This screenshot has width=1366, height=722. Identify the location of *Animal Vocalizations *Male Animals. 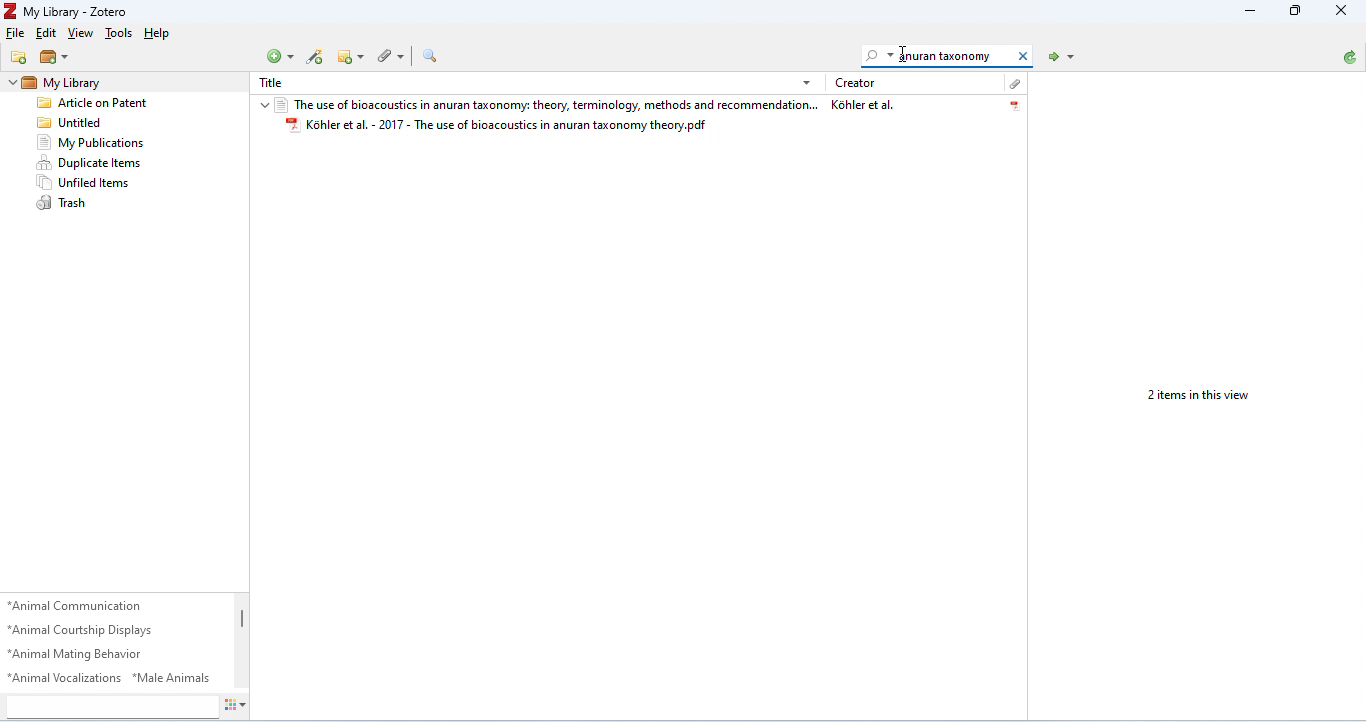
(113, 679).